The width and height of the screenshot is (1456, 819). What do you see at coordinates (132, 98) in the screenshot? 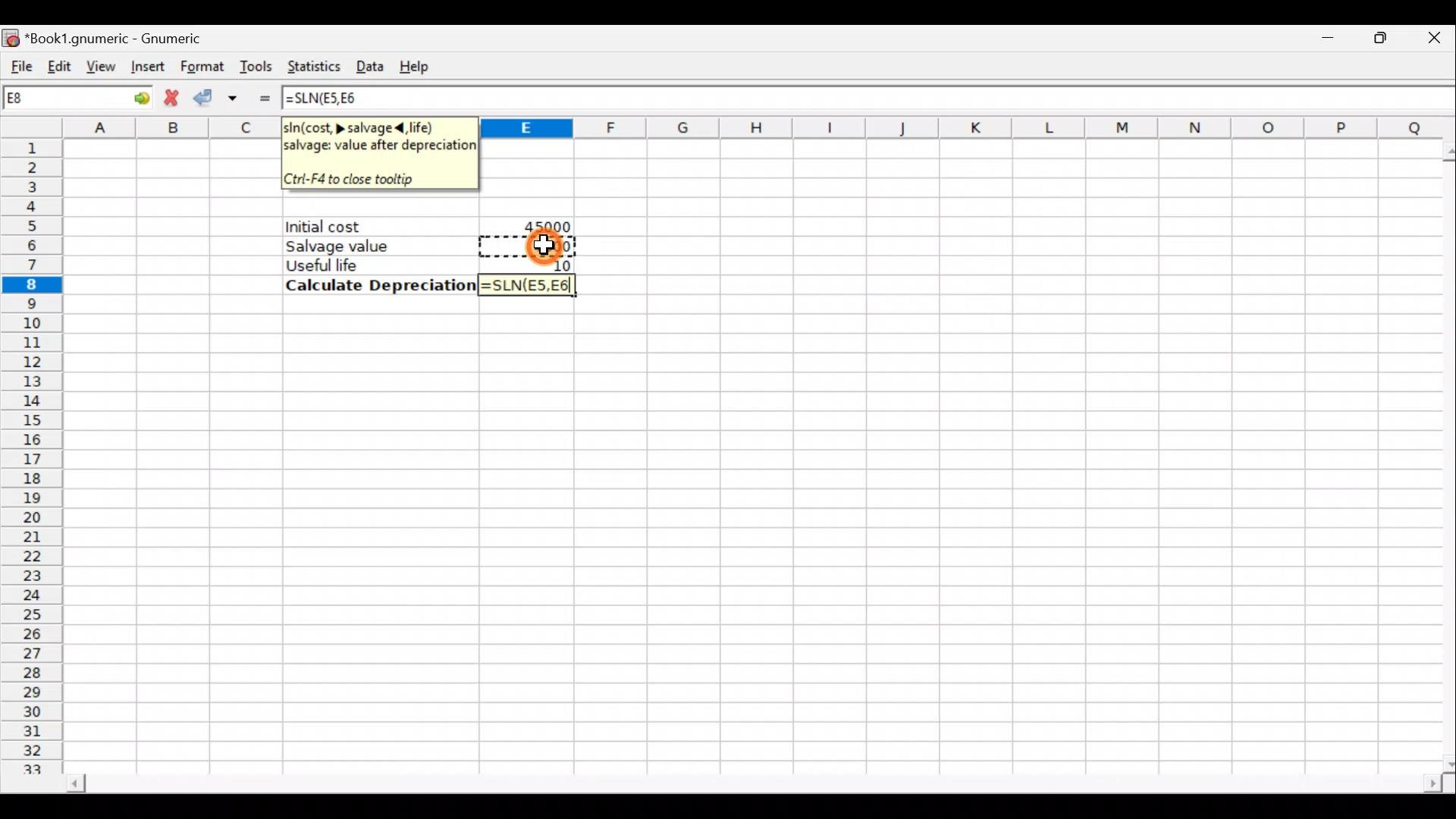
I see `go to` at bounding box center [132, 98].